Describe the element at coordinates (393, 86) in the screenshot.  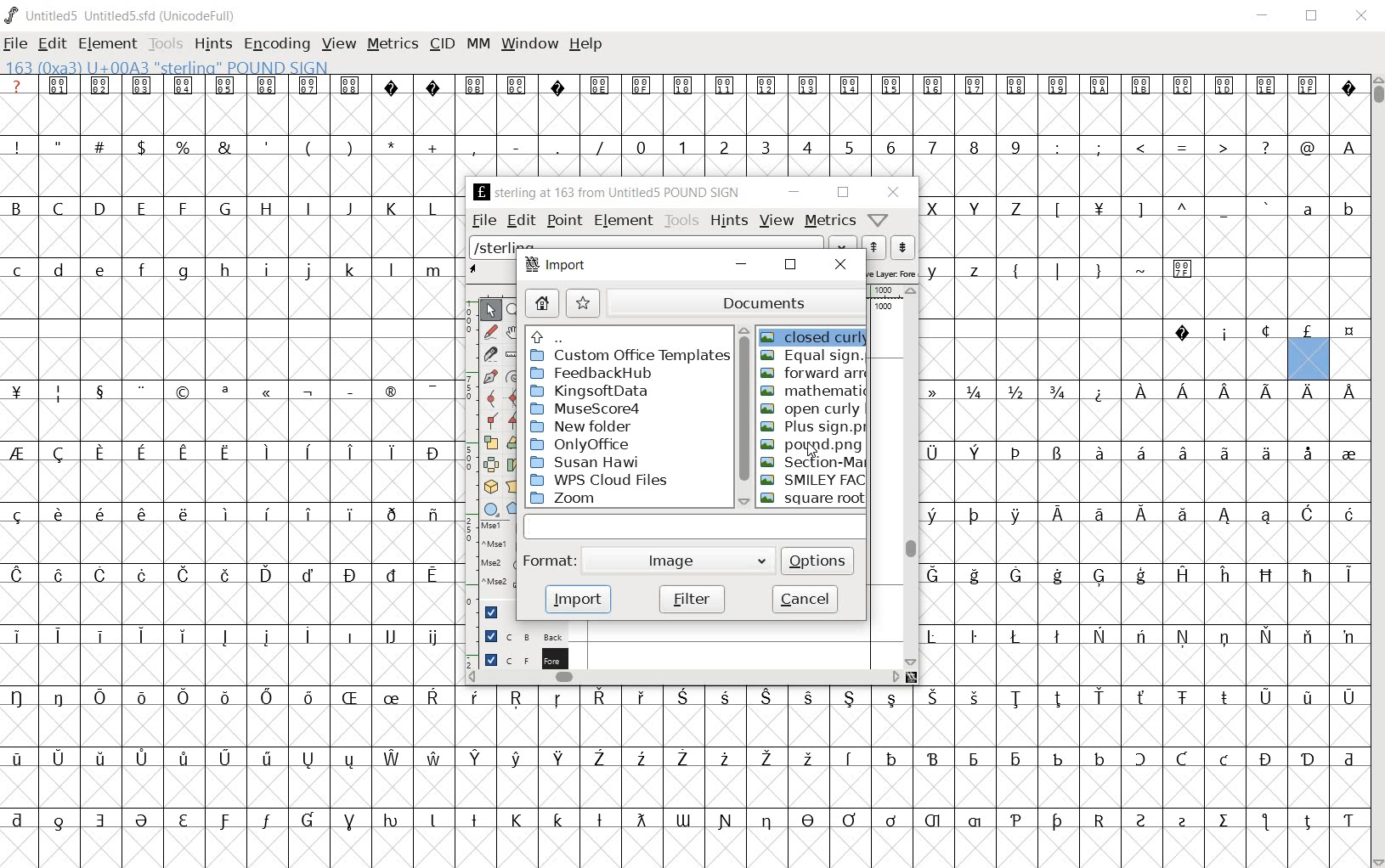
I see `Symbol` at that location.